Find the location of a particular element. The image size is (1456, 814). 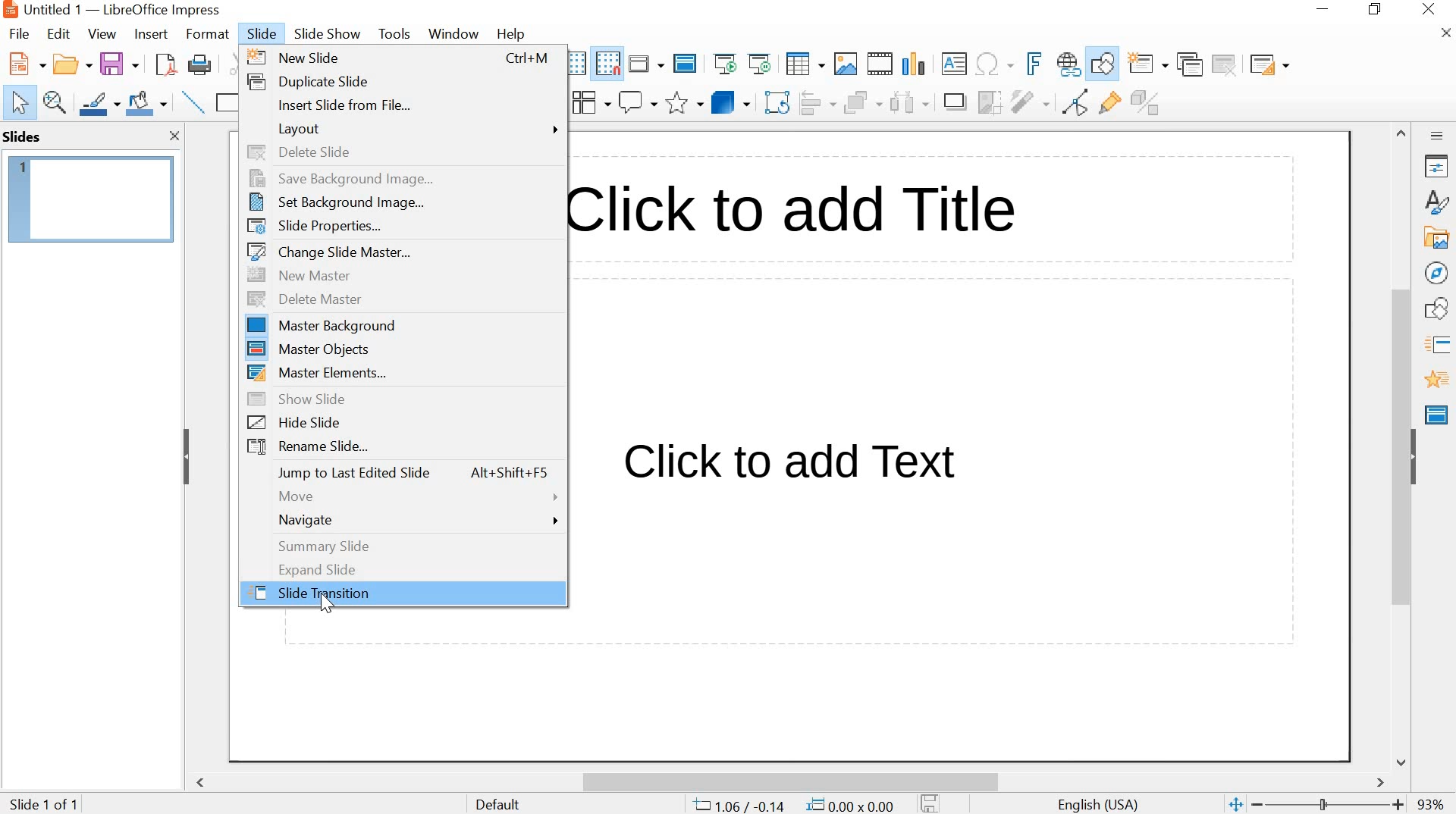

CLOSE DOCUMENT is located at coordinates (1444, 31).